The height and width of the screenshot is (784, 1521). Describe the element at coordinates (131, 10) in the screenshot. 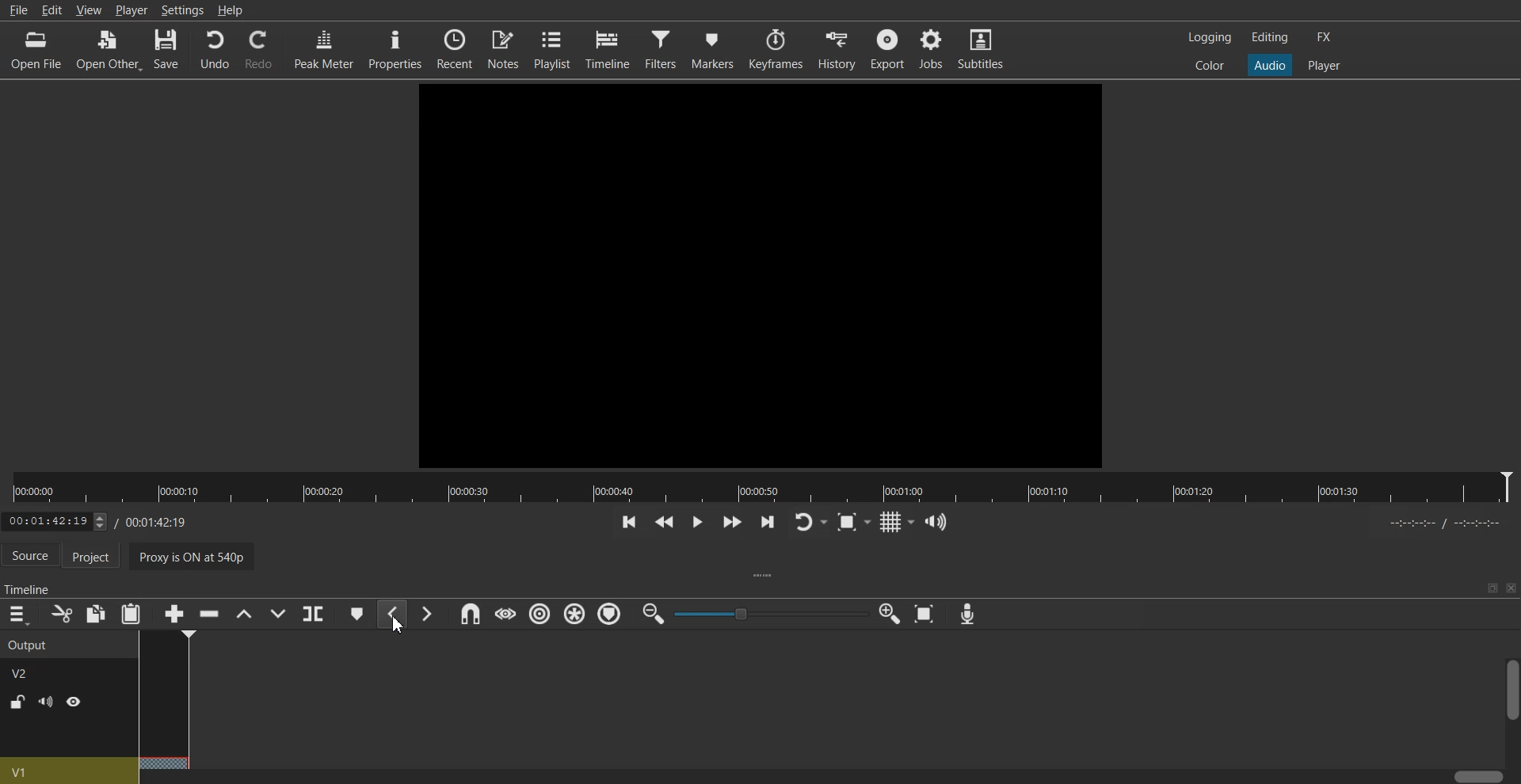

I see `Player` at that location.